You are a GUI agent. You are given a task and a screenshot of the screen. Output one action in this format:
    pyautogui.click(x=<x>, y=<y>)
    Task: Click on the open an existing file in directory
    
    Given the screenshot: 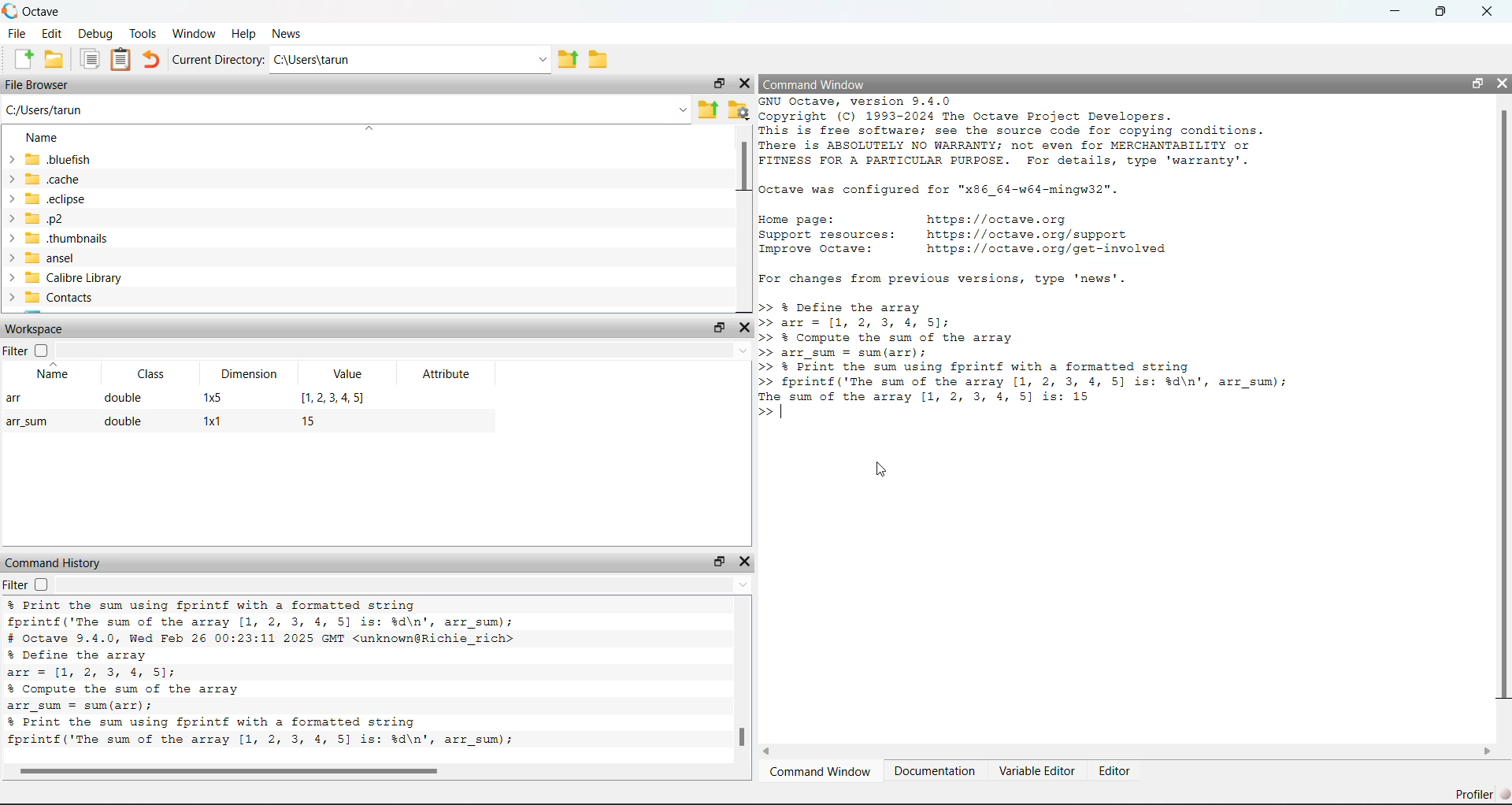 What is the action you would take?
    pyautogui.click(x=54, y=60)
    